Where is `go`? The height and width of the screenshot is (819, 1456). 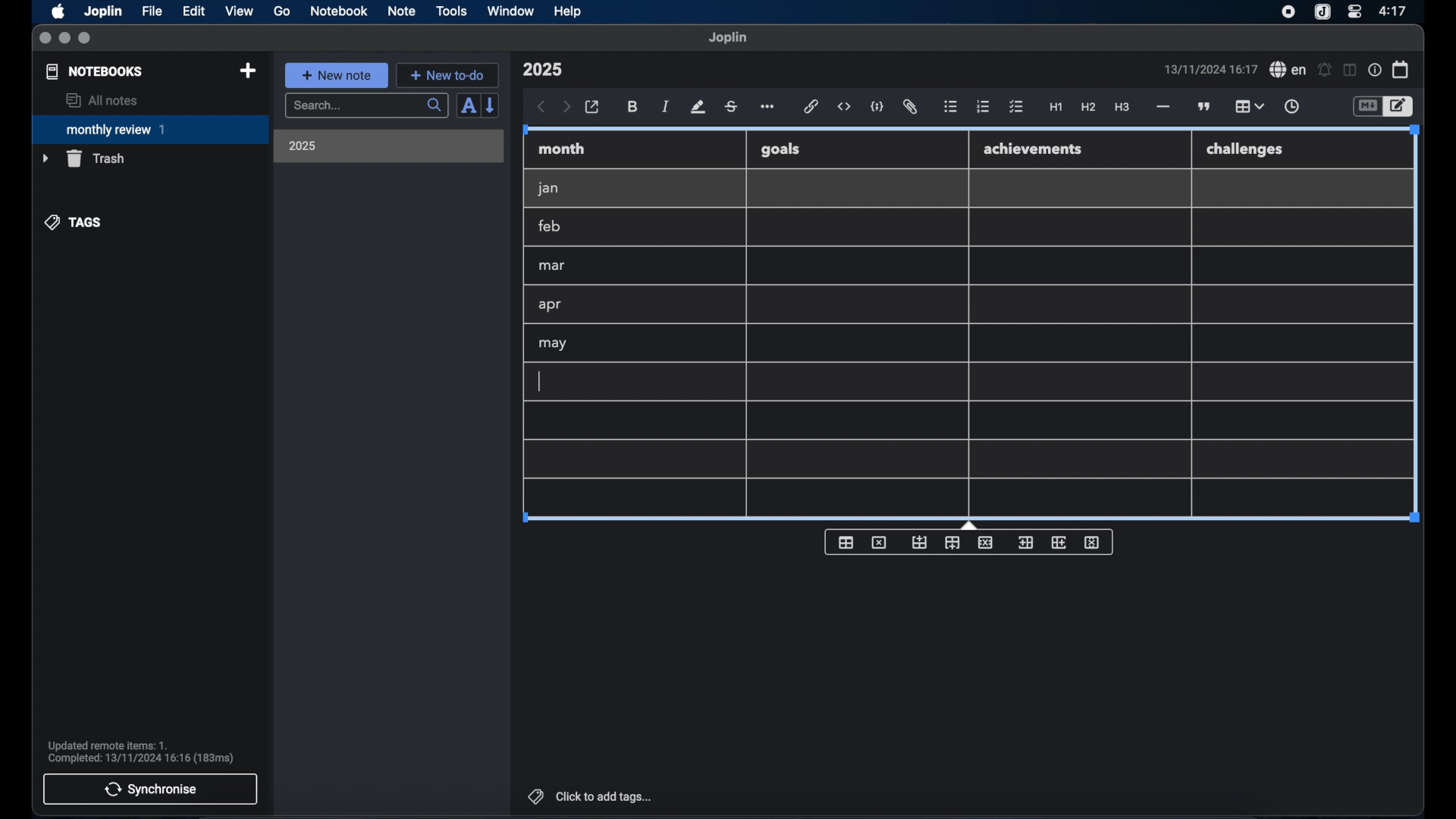
go is located at coordinates (282, 11).